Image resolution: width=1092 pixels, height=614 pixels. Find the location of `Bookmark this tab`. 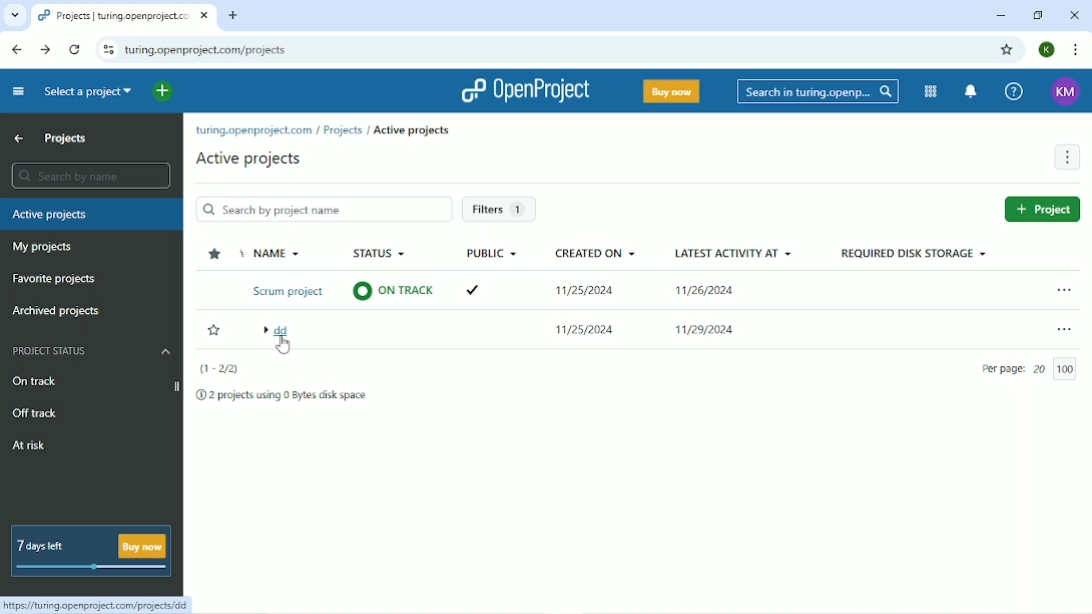

Bookmark this tab is located at coordinates (1007, 51).